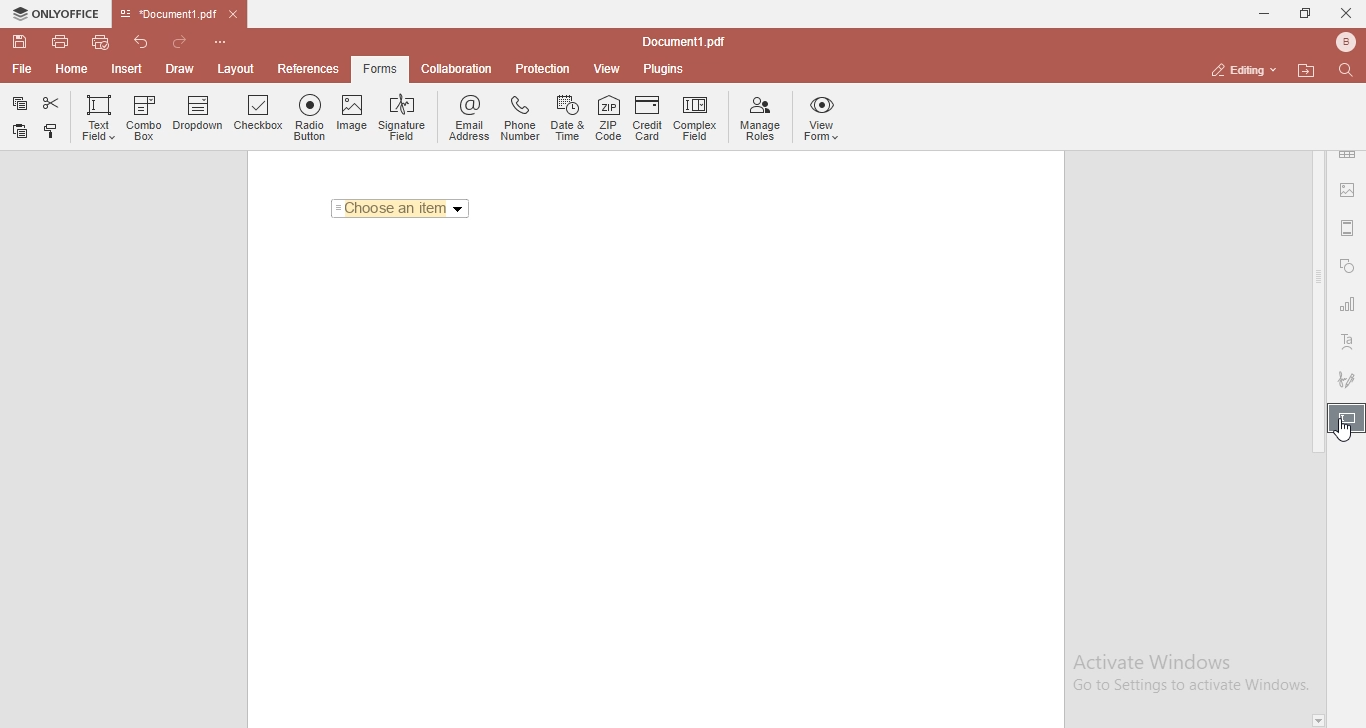 The width and height of the screenshot is (1366, 728). Describe the element at coordinates (310, 118) in the screenshot. I see `radio button` at that location.